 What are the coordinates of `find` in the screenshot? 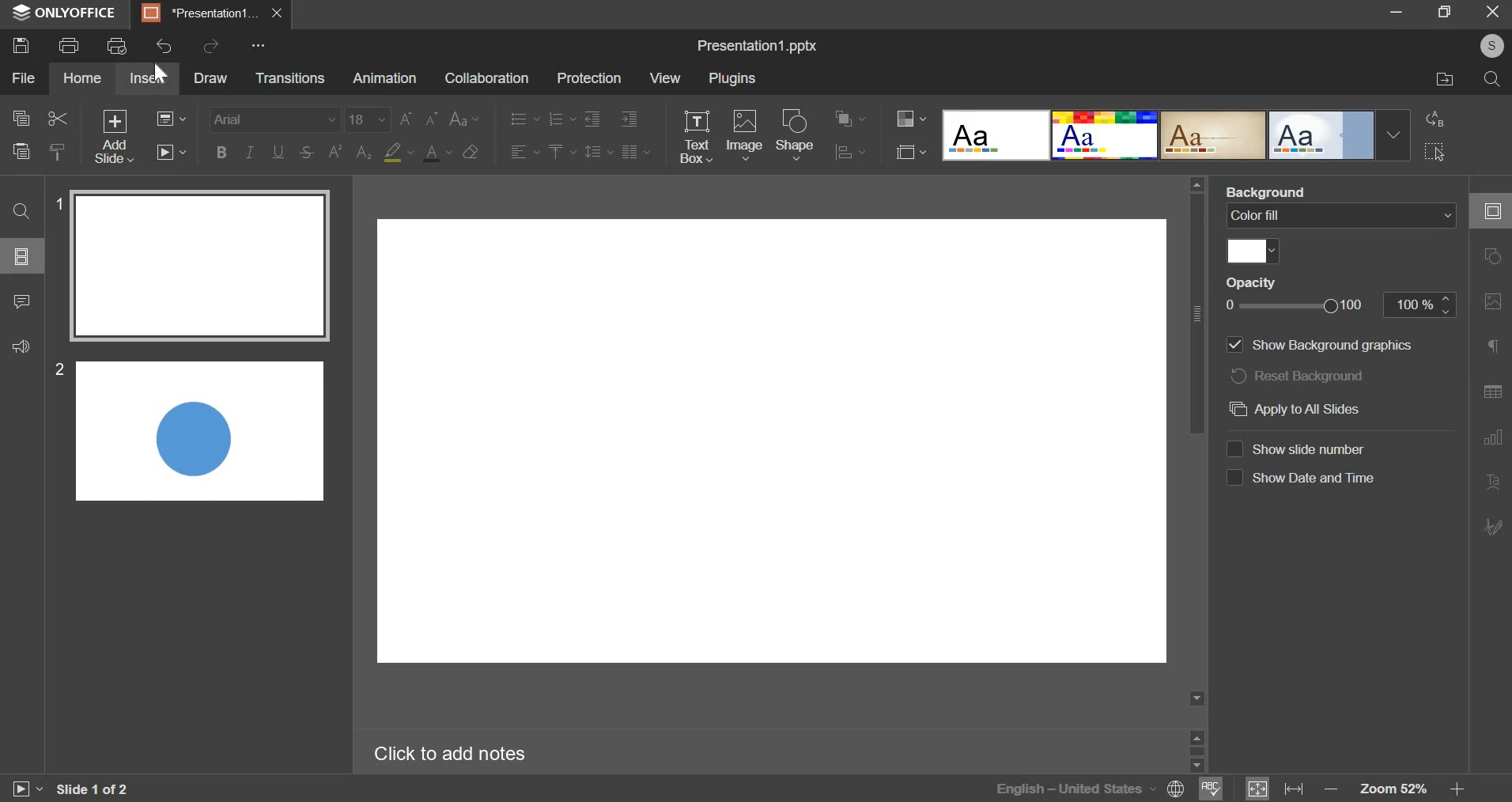 It's located at (20, 210).